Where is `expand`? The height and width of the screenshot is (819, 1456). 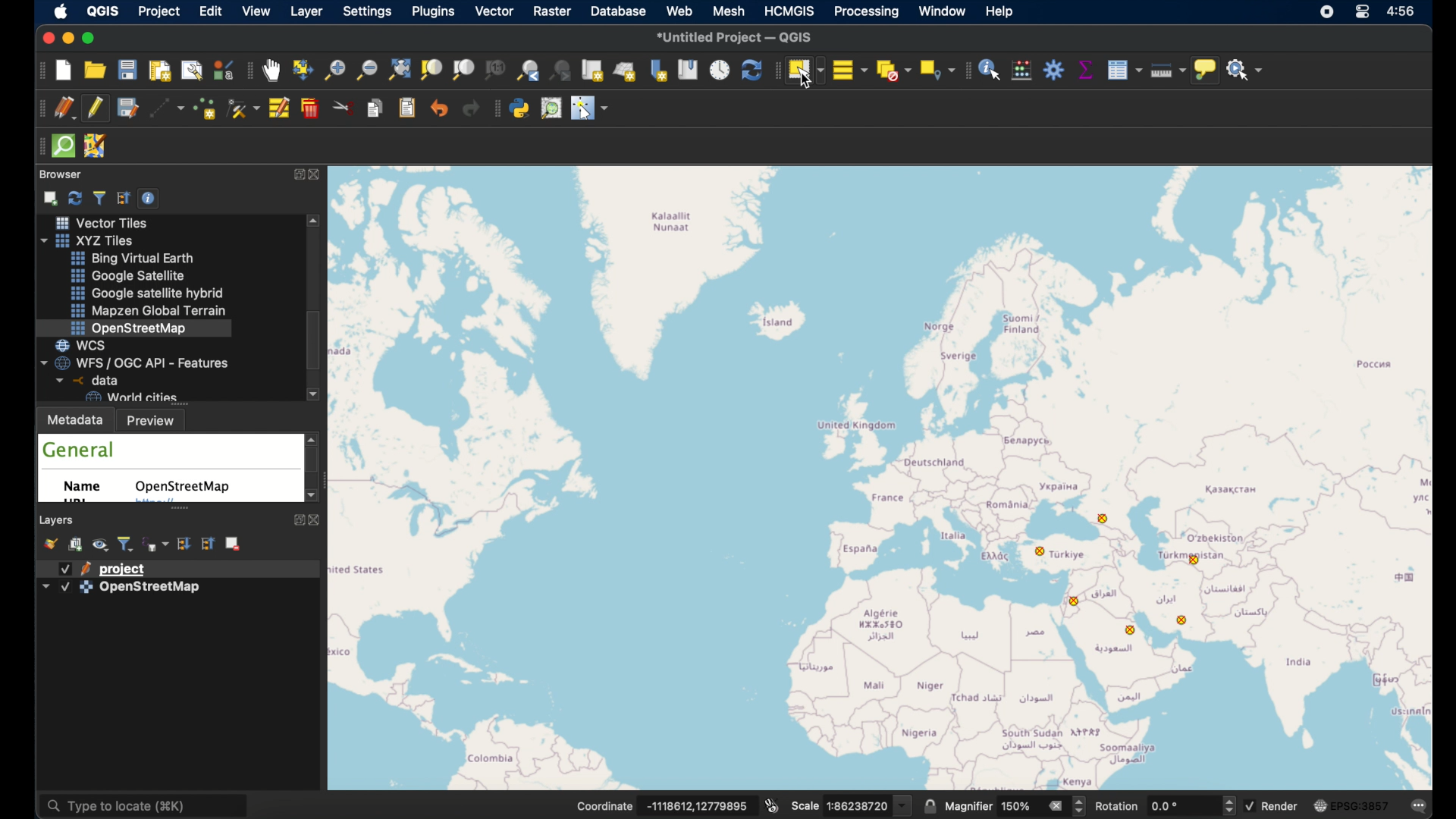 expand is located at coordinates (295, 174).